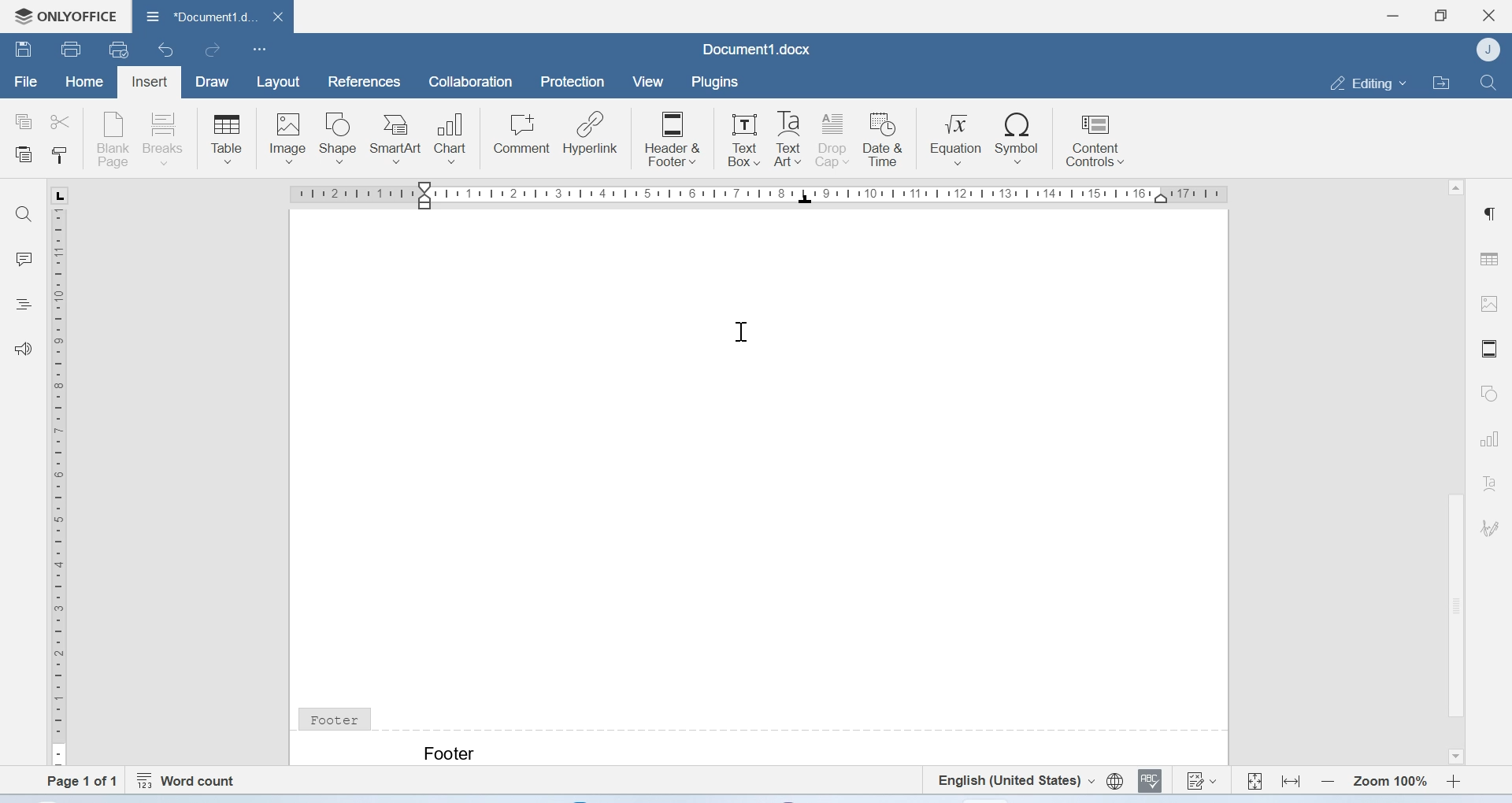 This screenshot has width=1512, height=803. What do you see at coordinates (1440, 81) in the screenshot?
I see `Open file location` at bounding box center [1440, 81].